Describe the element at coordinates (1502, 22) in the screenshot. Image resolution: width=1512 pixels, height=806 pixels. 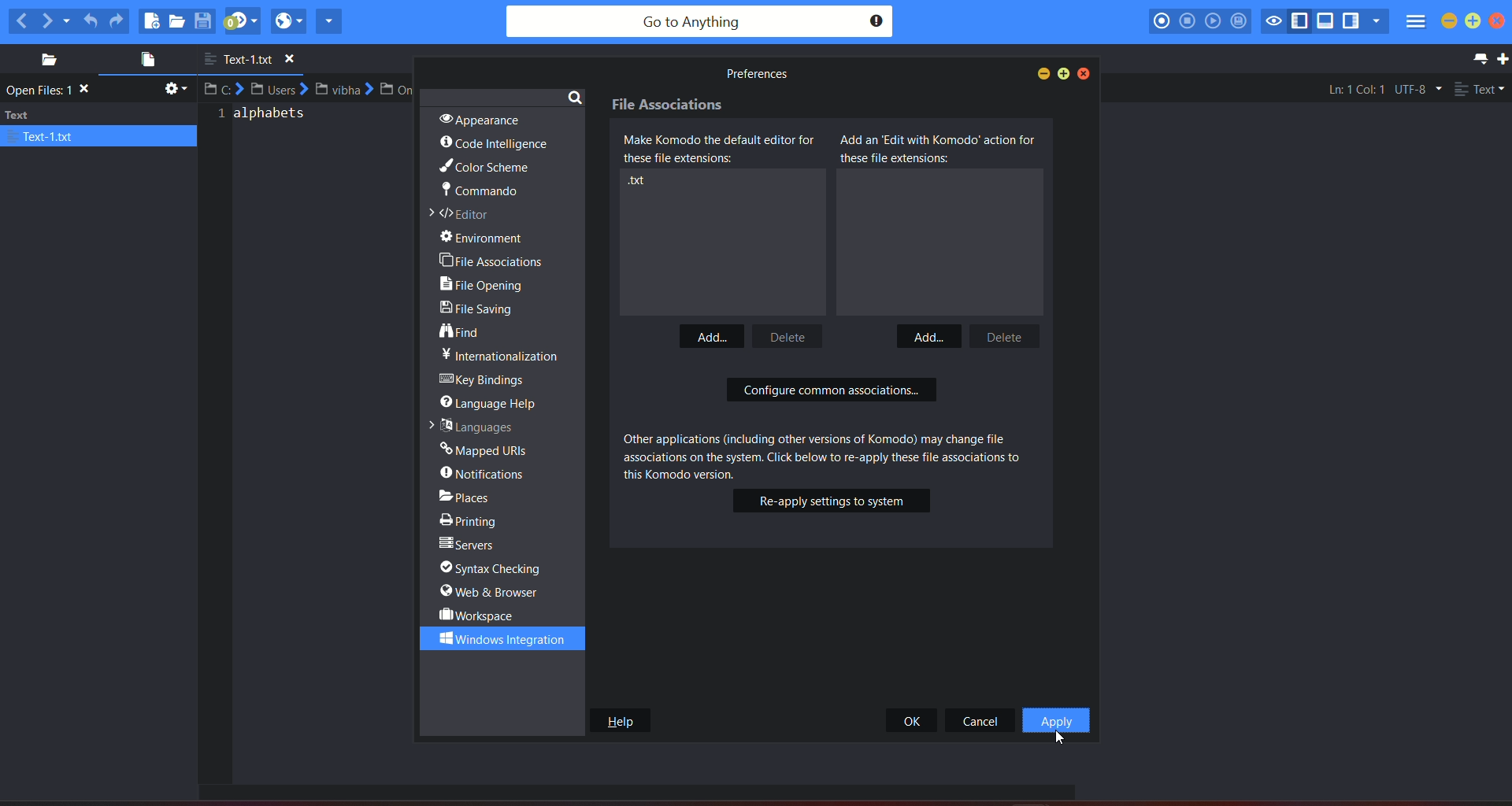
I see `close` at that location.